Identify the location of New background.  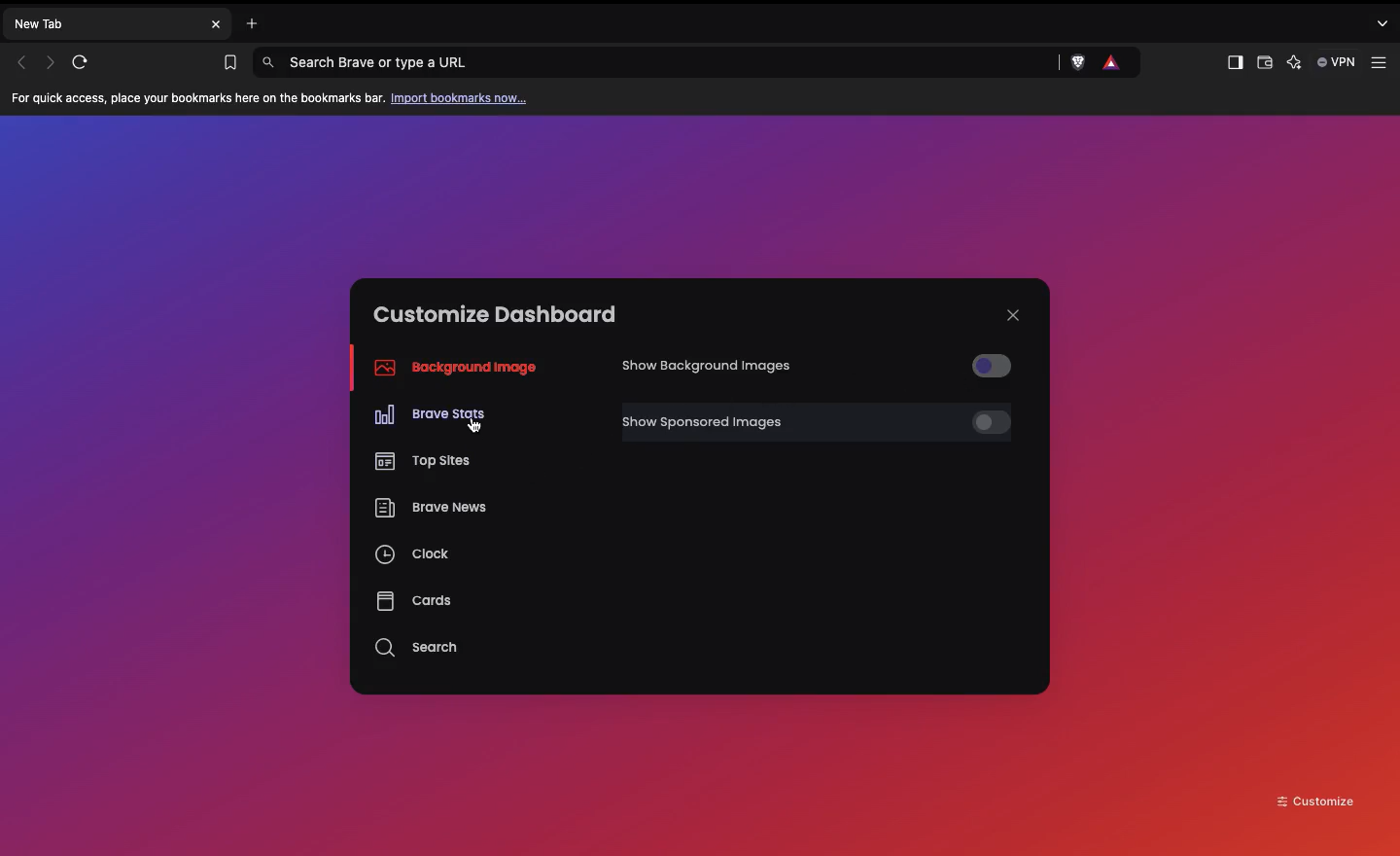
(700, 195).